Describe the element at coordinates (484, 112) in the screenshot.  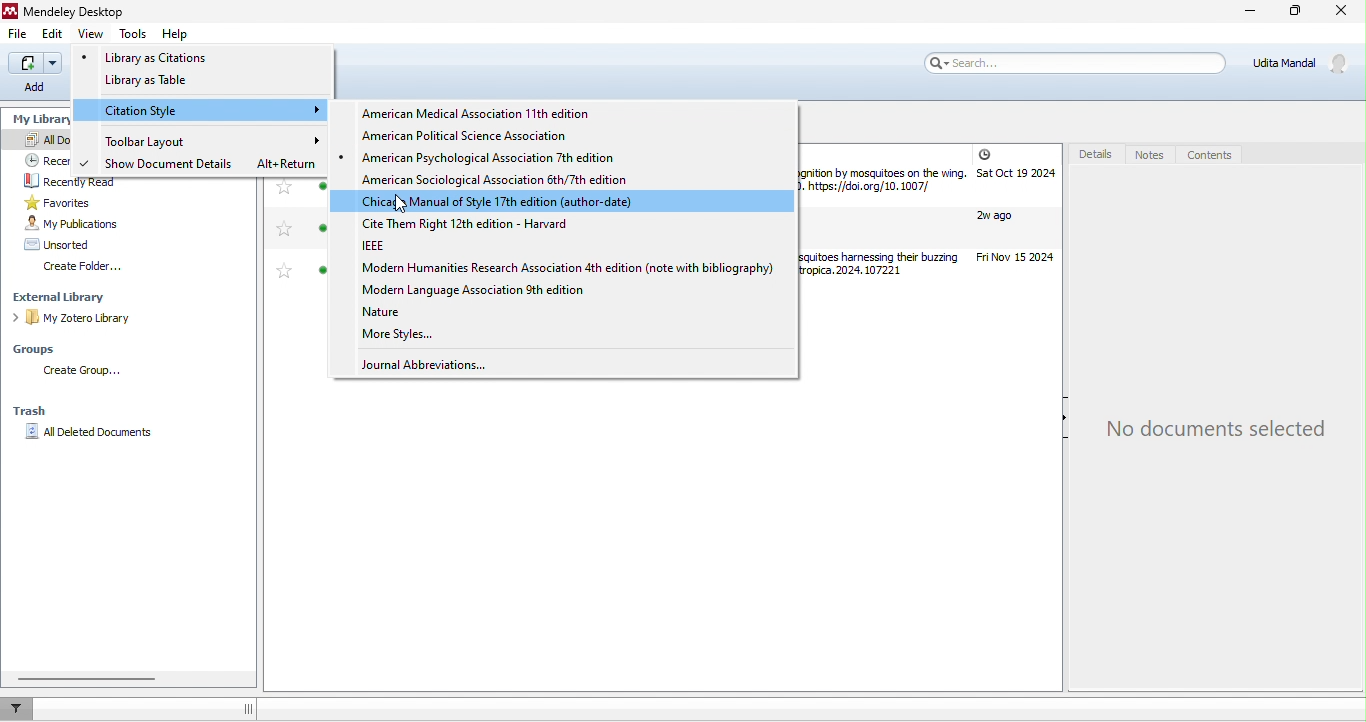
I see `american medical association 11th edition` at that location.